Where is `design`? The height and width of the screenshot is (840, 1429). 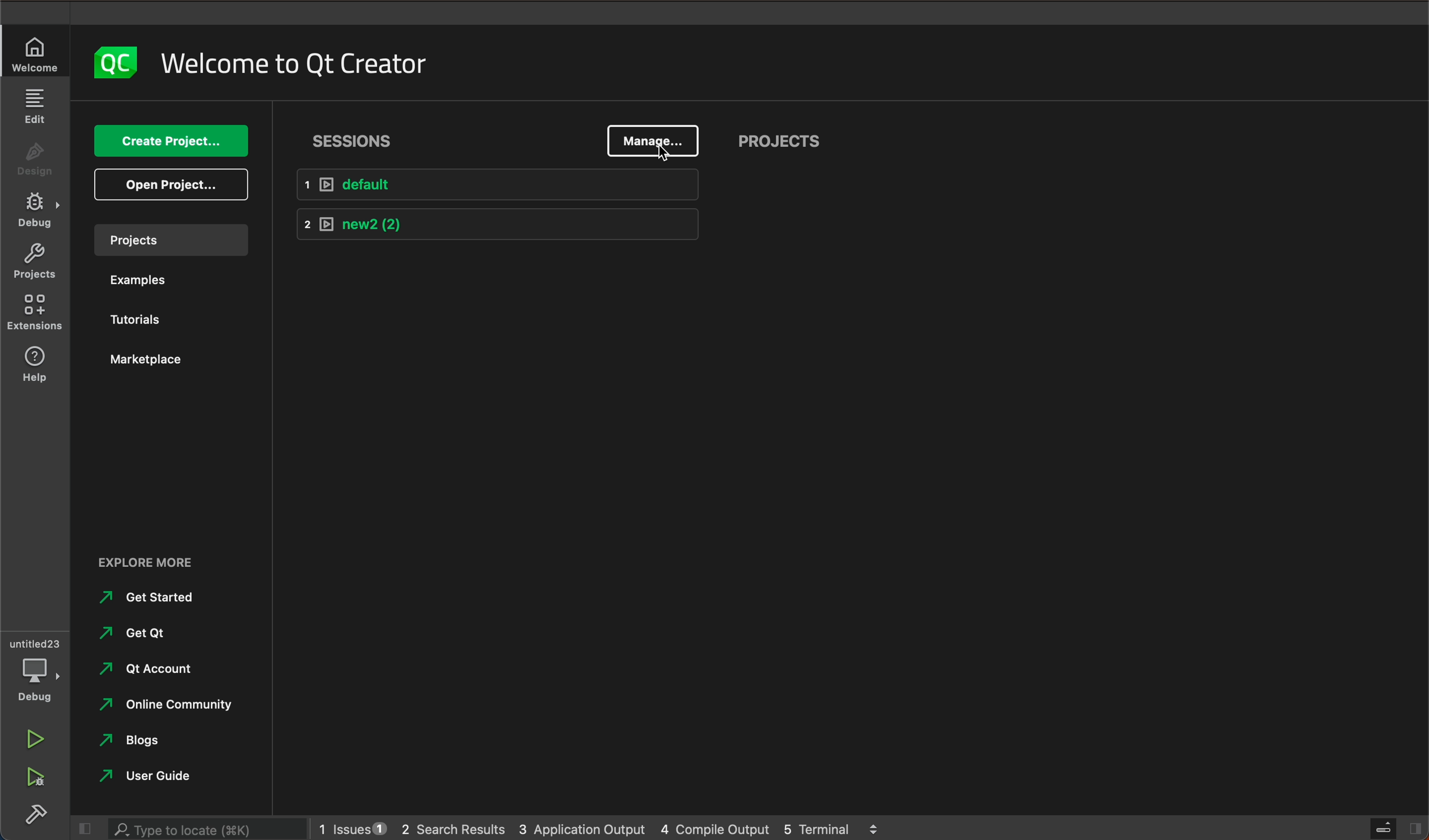 design is located at coordinates (36, 158).